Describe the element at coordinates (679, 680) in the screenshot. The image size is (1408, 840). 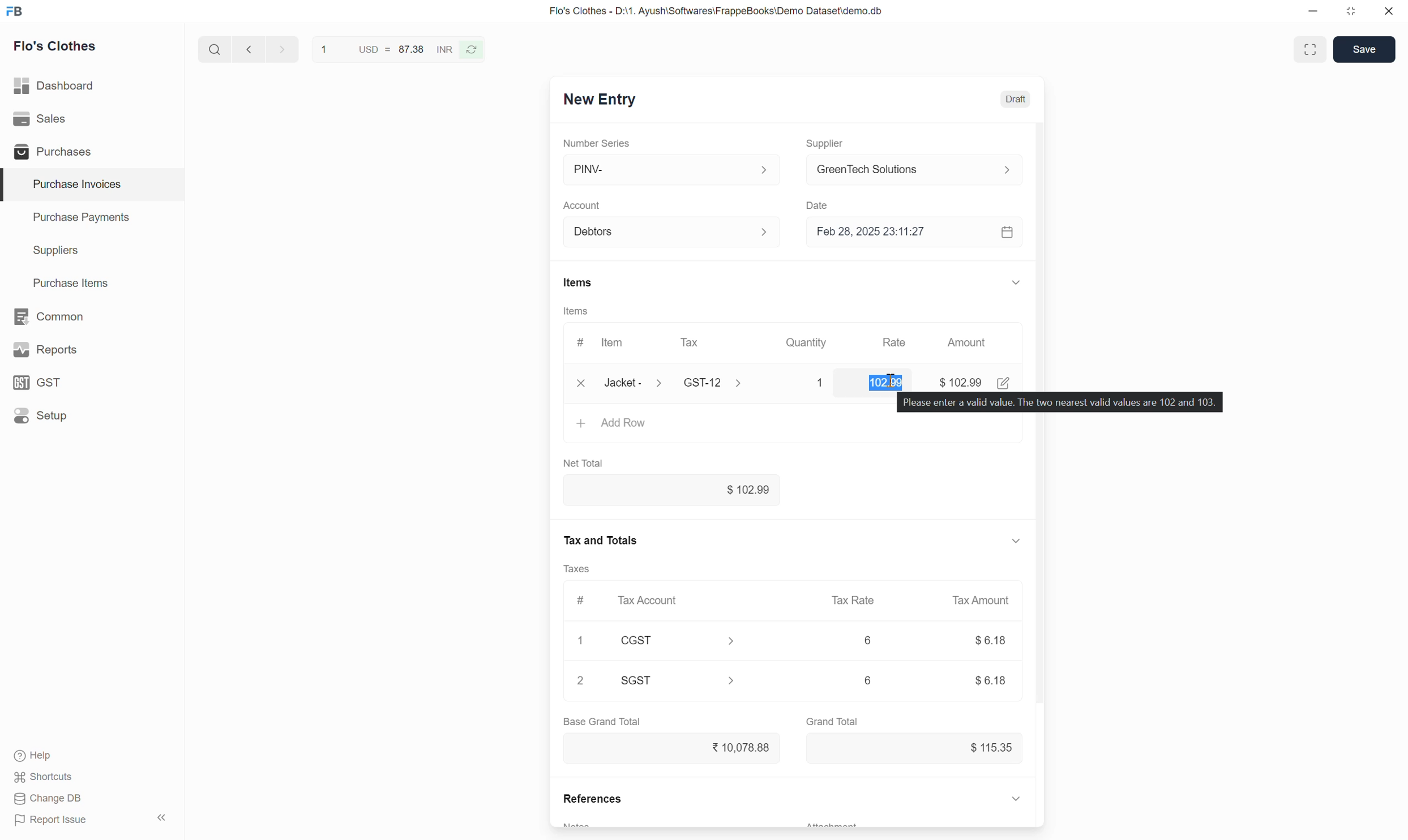
I see `SGST` at that location.